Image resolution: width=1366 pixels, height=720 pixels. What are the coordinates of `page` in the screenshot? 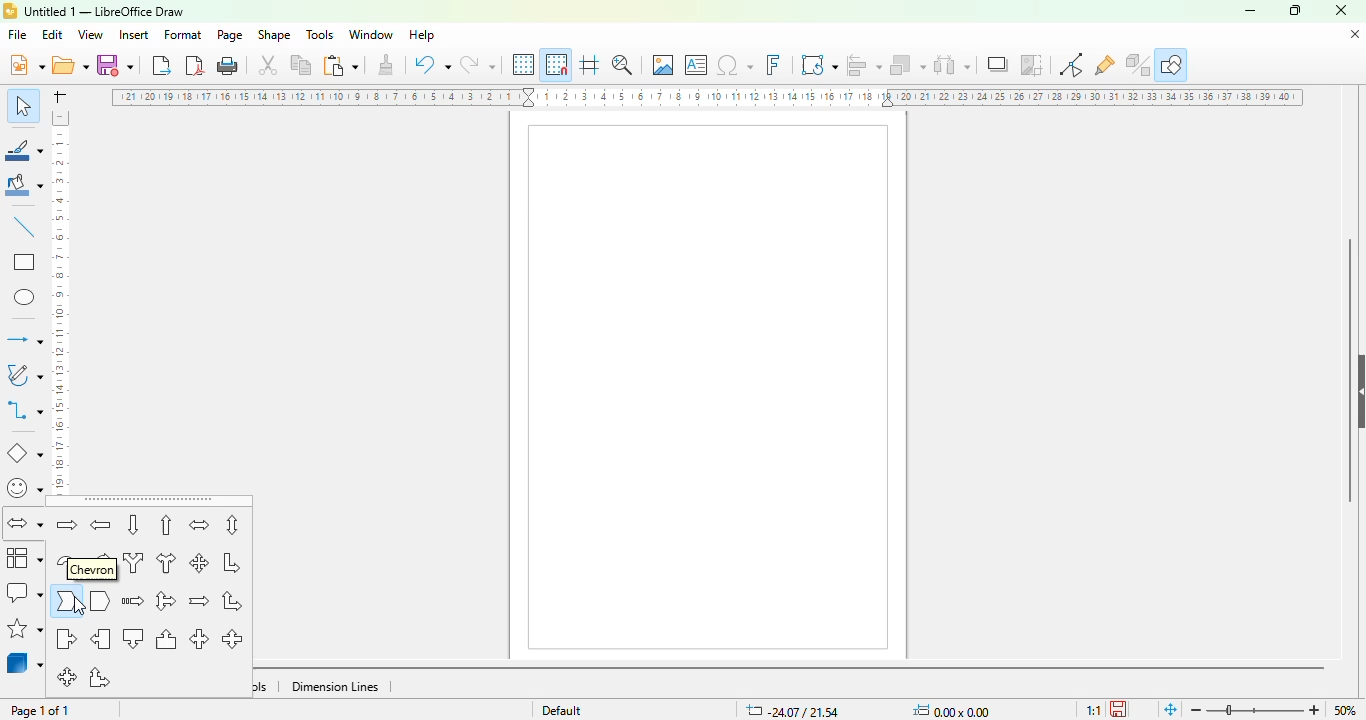 It's located at (229, 35).